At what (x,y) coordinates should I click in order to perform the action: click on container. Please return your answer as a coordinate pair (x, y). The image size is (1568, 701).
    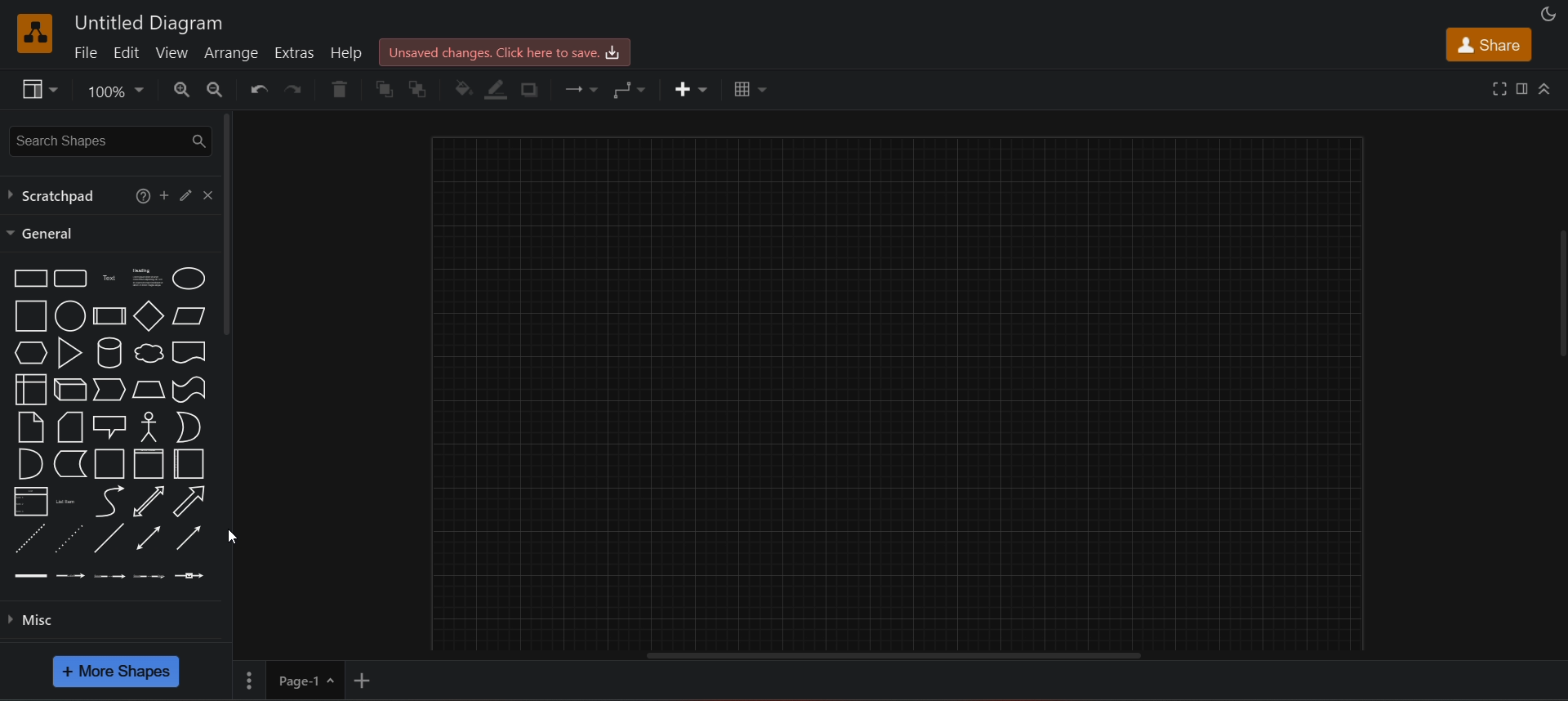
    Looking at the image, I should click on (188, 465).